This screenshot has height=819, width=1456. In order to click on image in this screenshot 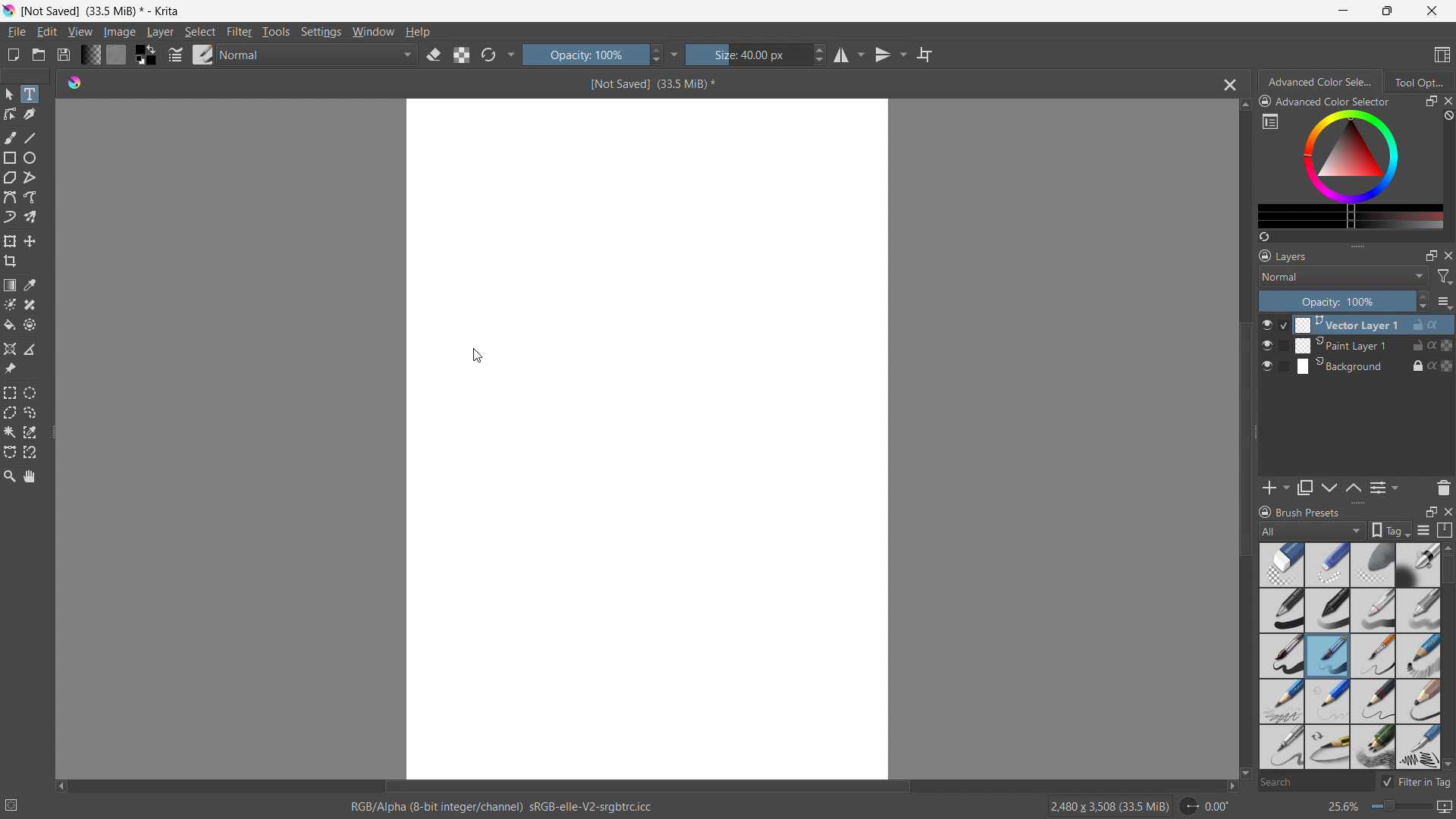, I will do `click(121, 33)`.